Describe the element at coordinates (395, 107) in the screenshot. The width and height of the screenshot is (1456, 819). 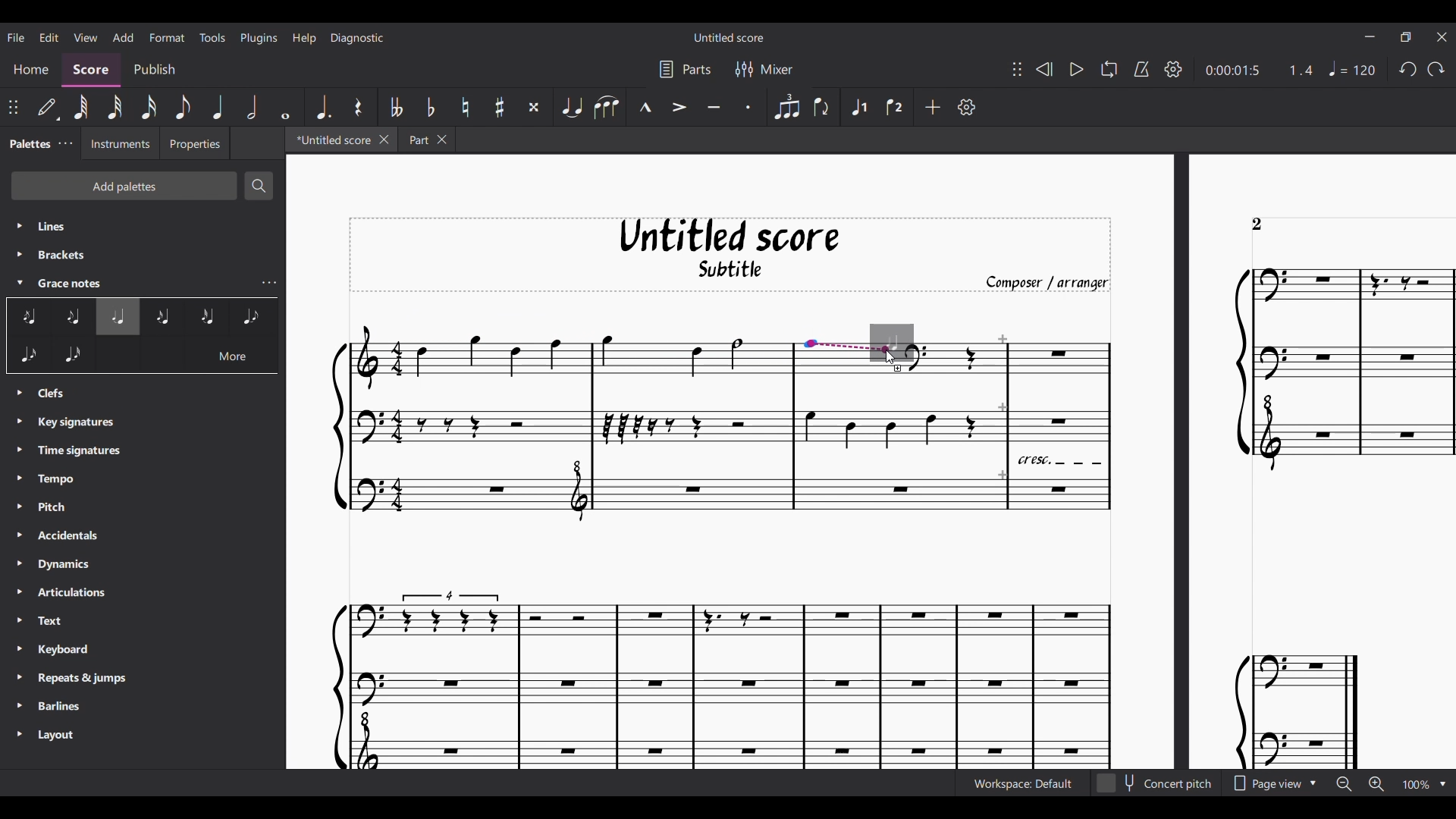
I see `Toggle double flat` at that location.